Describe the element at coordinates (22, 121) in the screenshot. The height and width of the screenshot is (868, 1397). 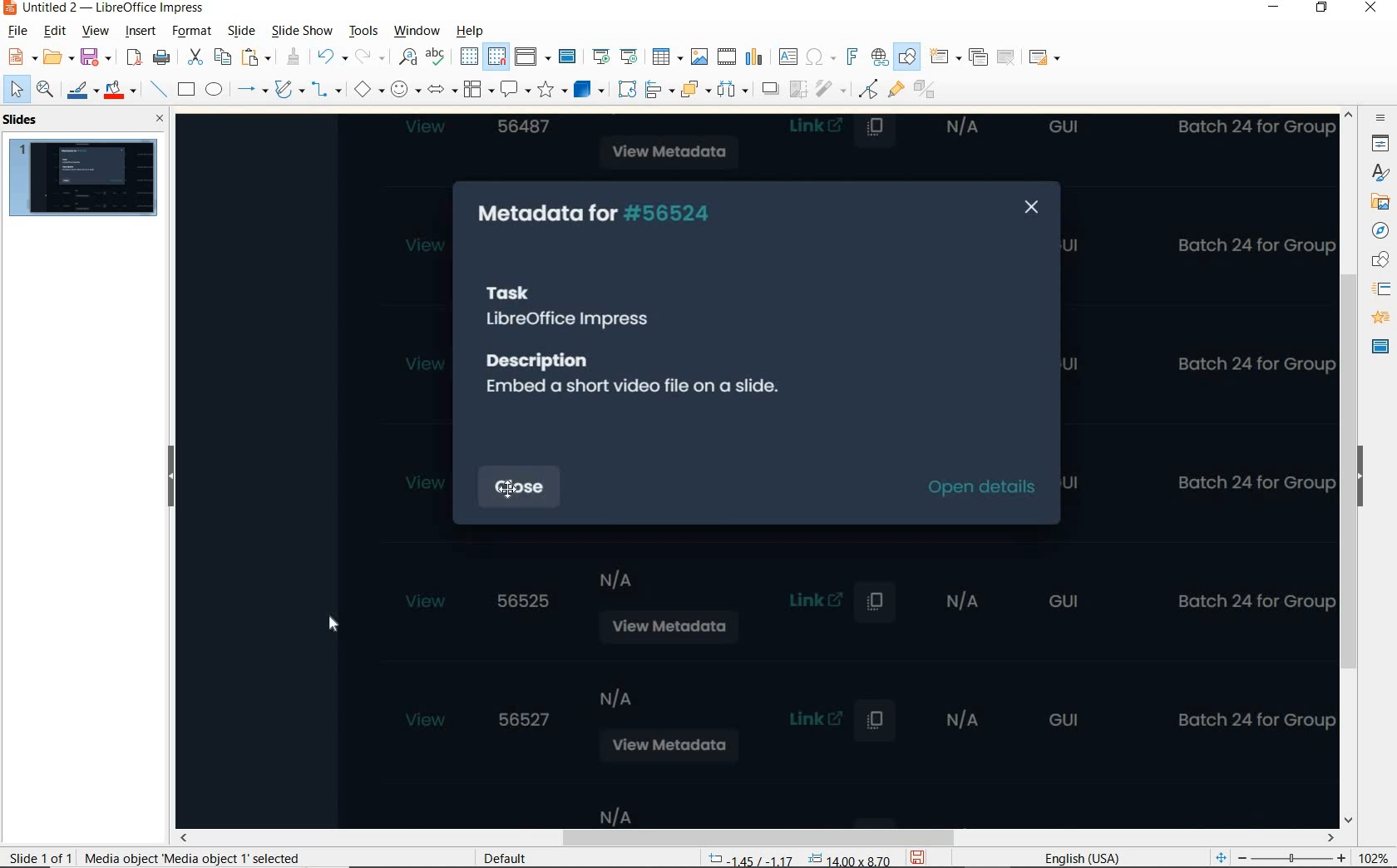
I see `SLIDES` at that location.